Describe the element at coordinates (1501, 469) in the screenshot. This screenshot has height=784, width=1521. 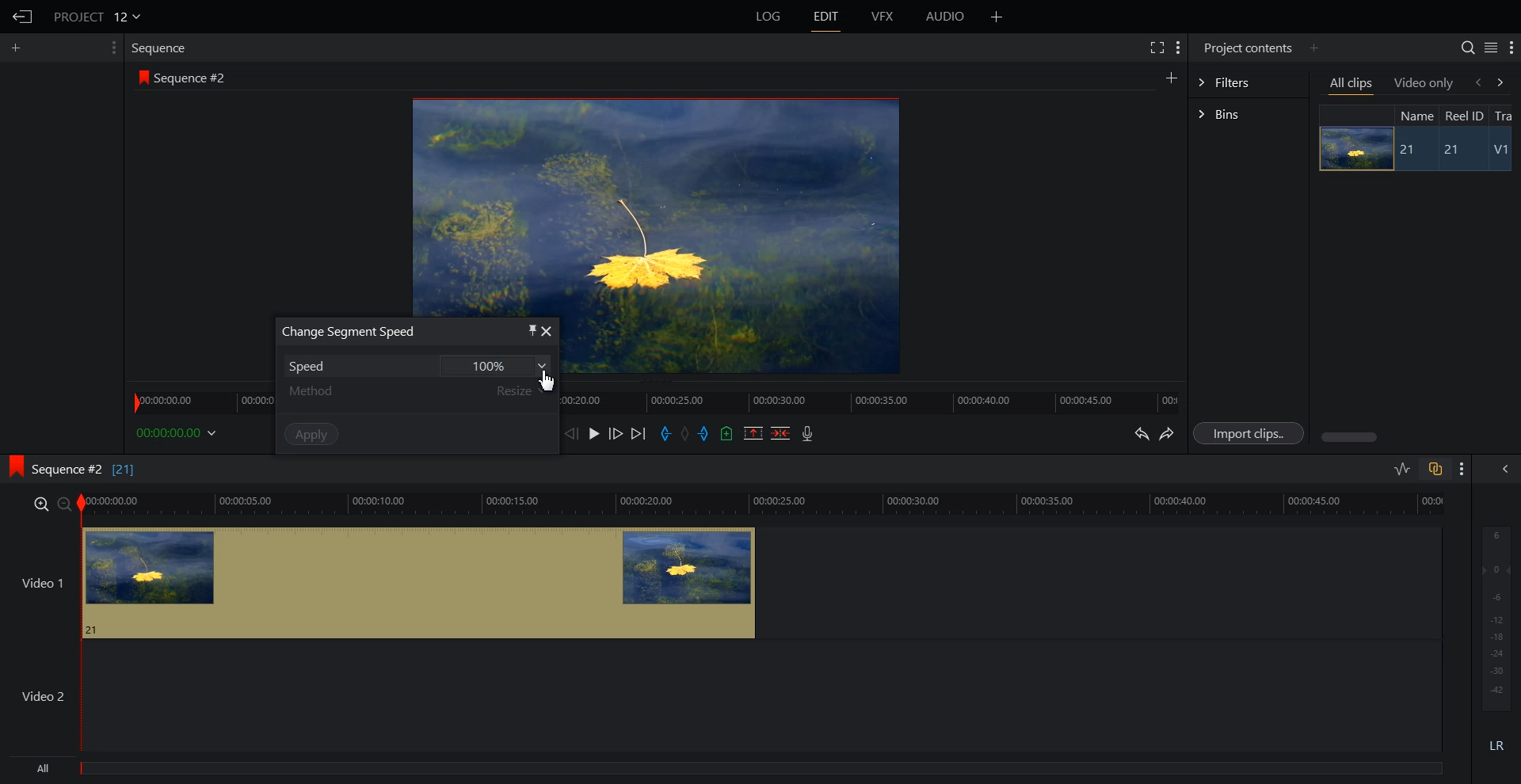
I see `Show the full audio mix` at that location.